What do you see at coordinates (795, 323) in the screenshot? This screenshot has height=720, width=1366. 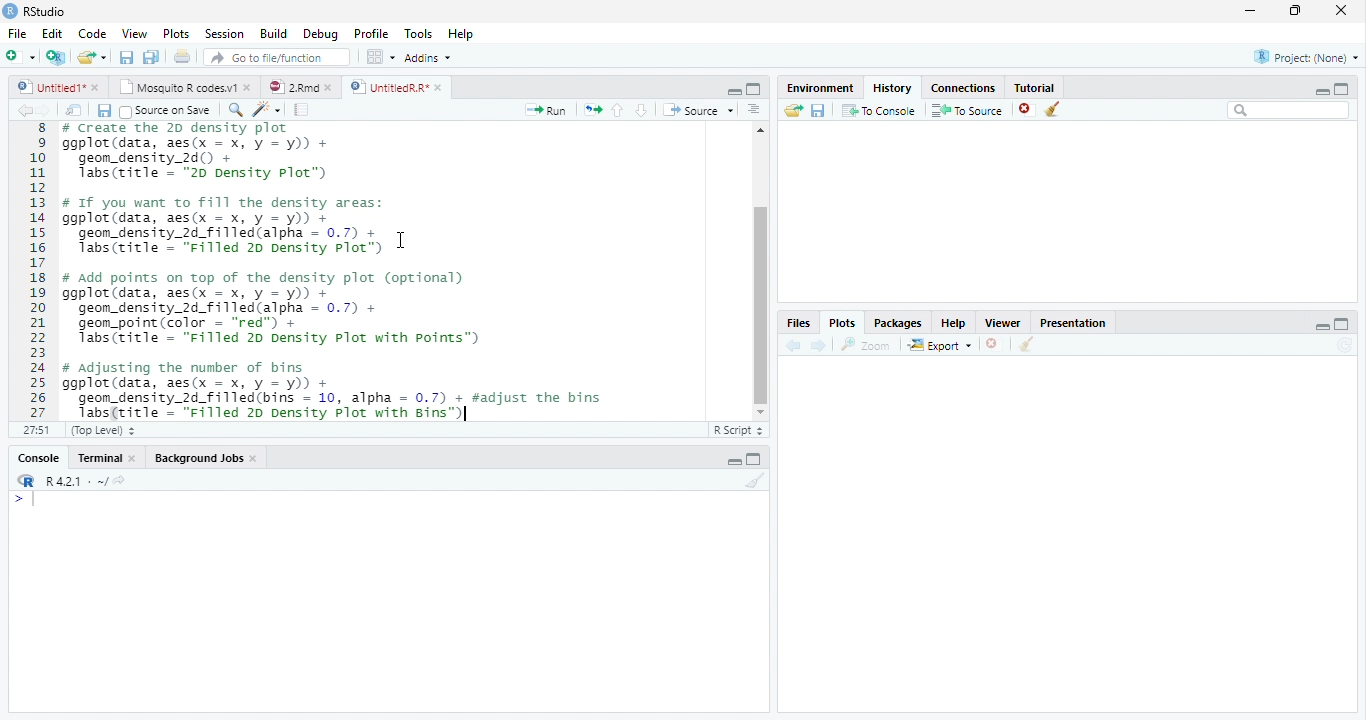 I see `Files,` at bounding box center [795, 323].